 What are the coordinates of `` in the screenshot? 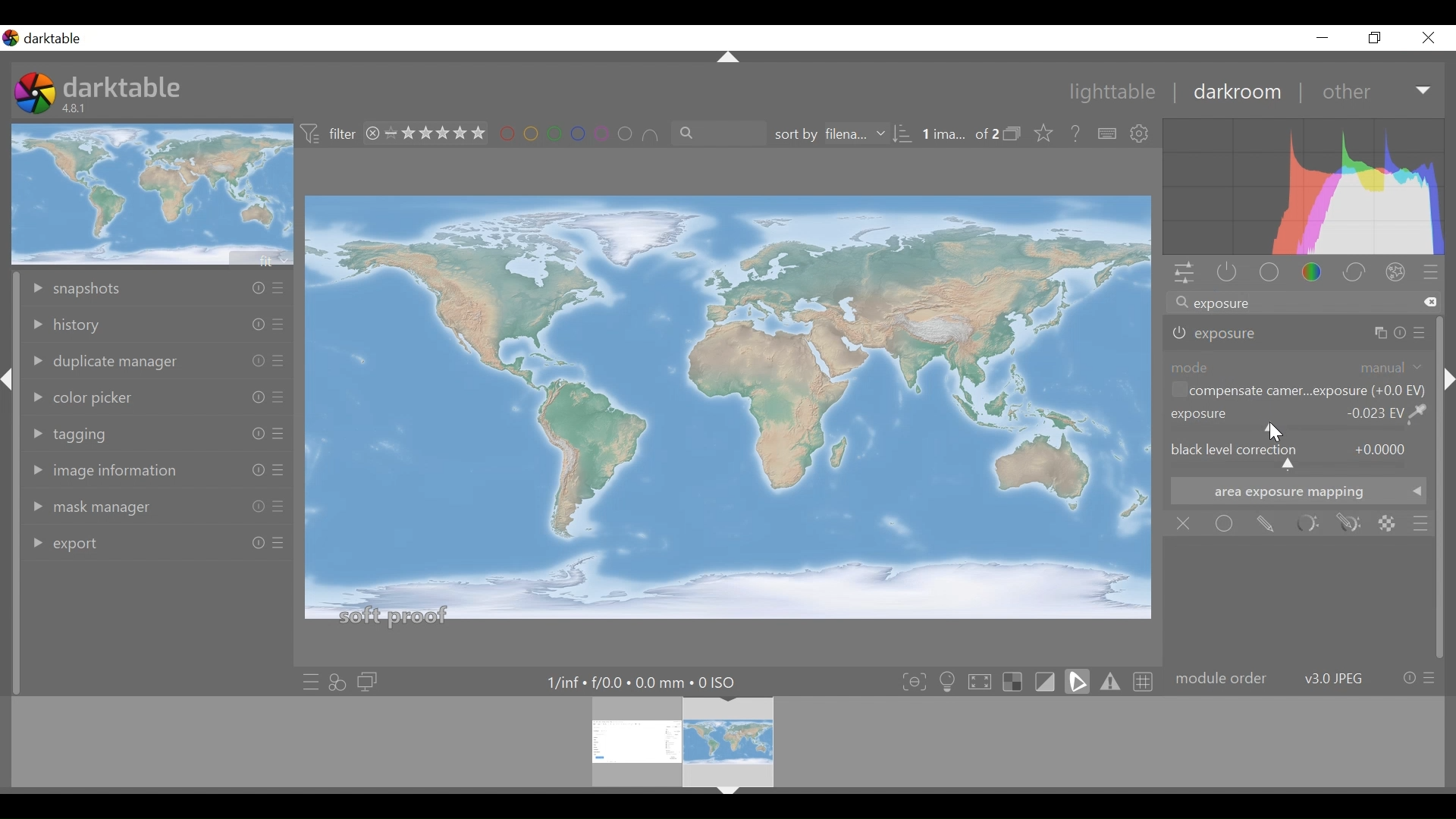 It's located at (1349, 524).